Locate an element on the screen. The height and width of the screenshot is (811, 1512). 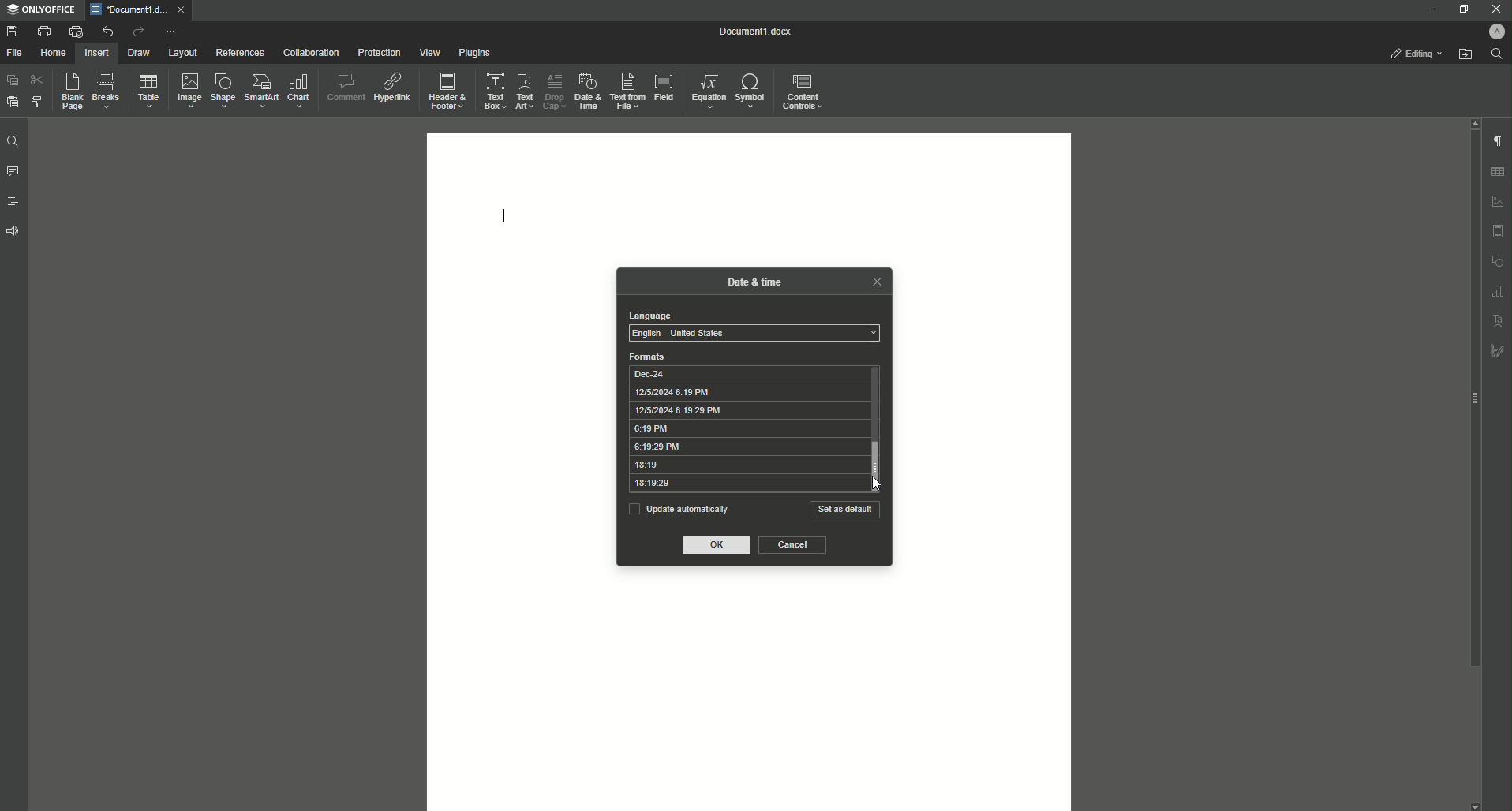
Undo is located at coordinates (106, 31).